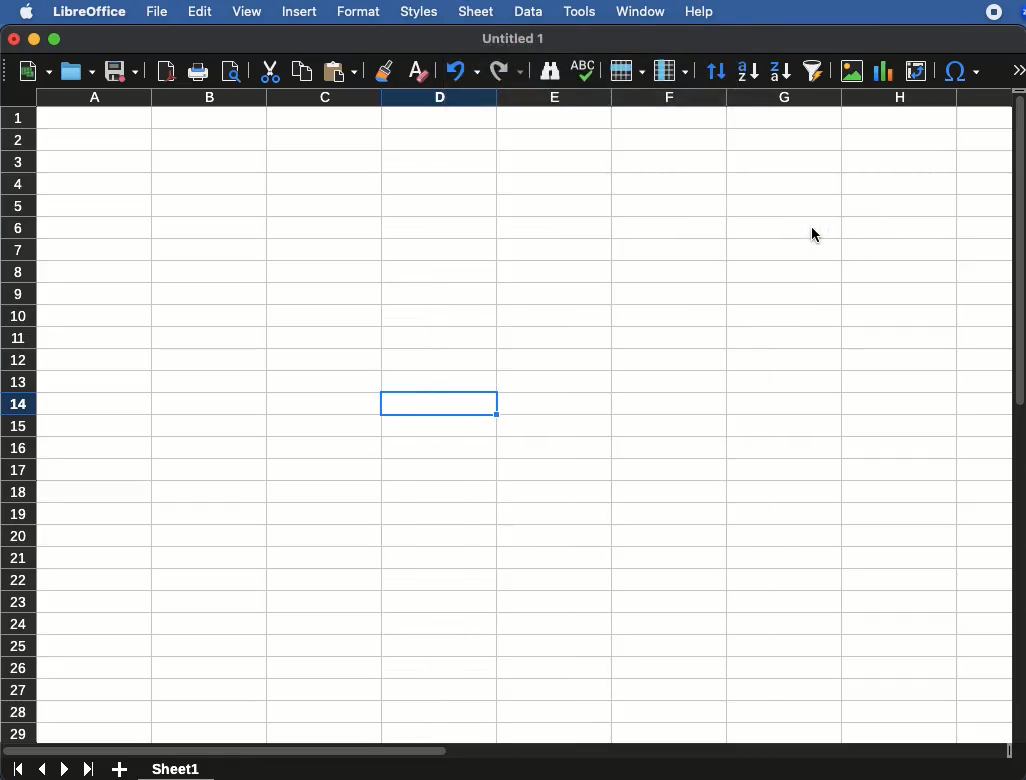 Image resolution: width=1026 pixels, height=780 pixels. I want to click on open, so click(78, 70).